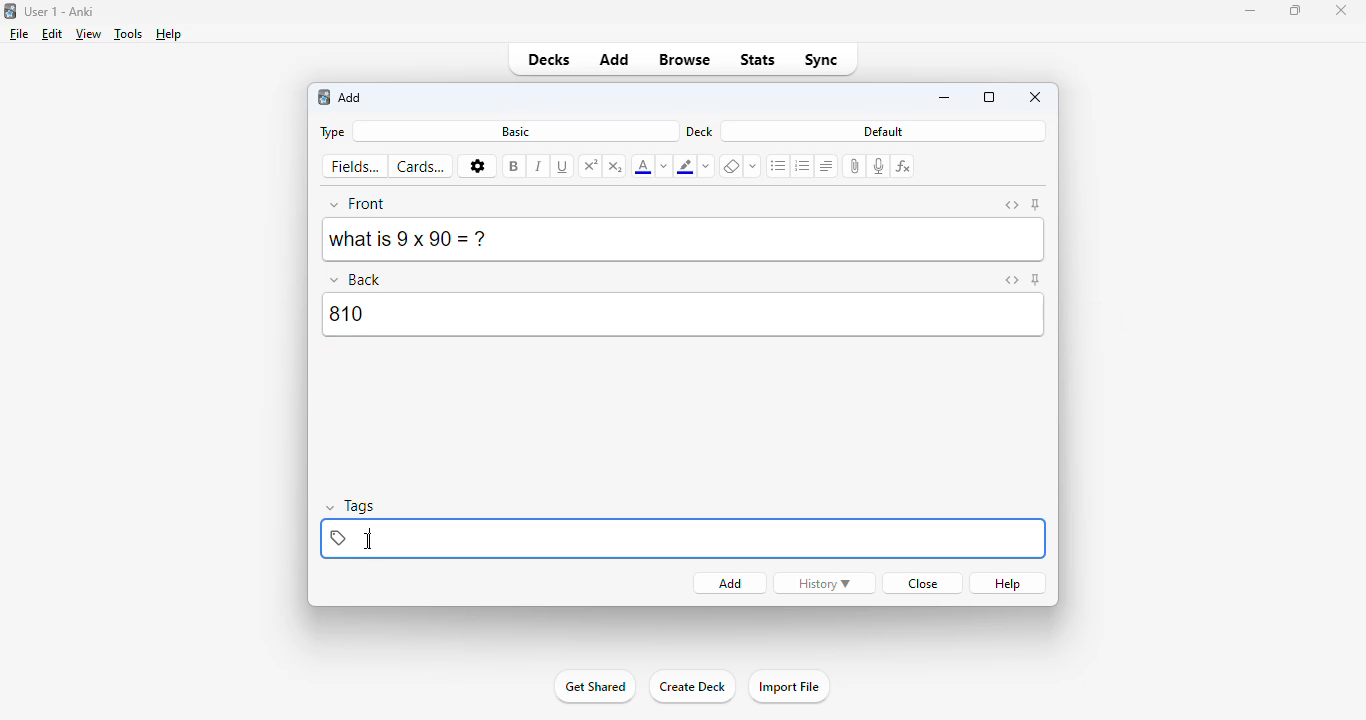 The image size is (1366, 720). What do you see at coordinates (1249, 11) in the screenshot?
I see `minimize` at bounding box center [1249, 11].